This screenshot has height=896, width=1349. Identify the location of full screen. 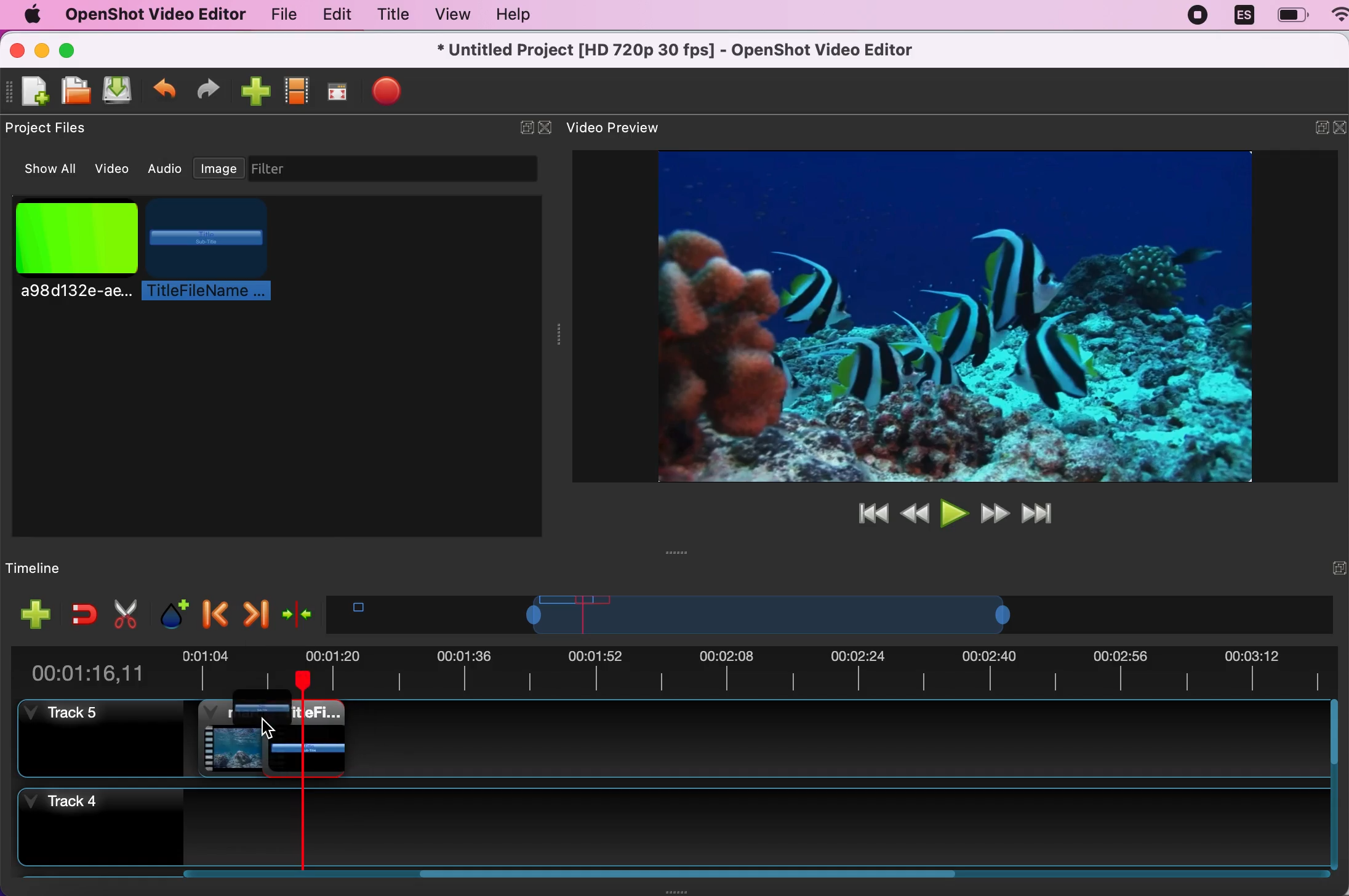
(340, 89).